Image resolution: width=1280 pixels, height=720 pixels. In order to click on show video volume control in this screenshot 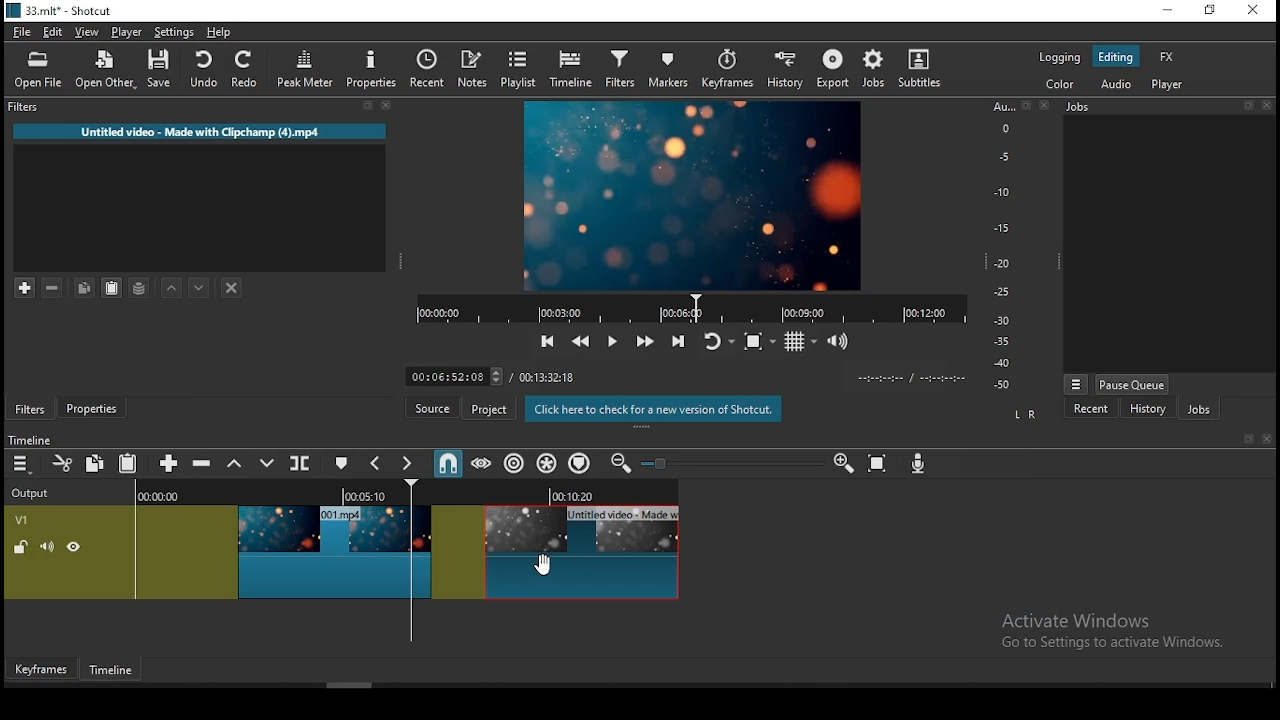, I will do `click(837, 337)`.